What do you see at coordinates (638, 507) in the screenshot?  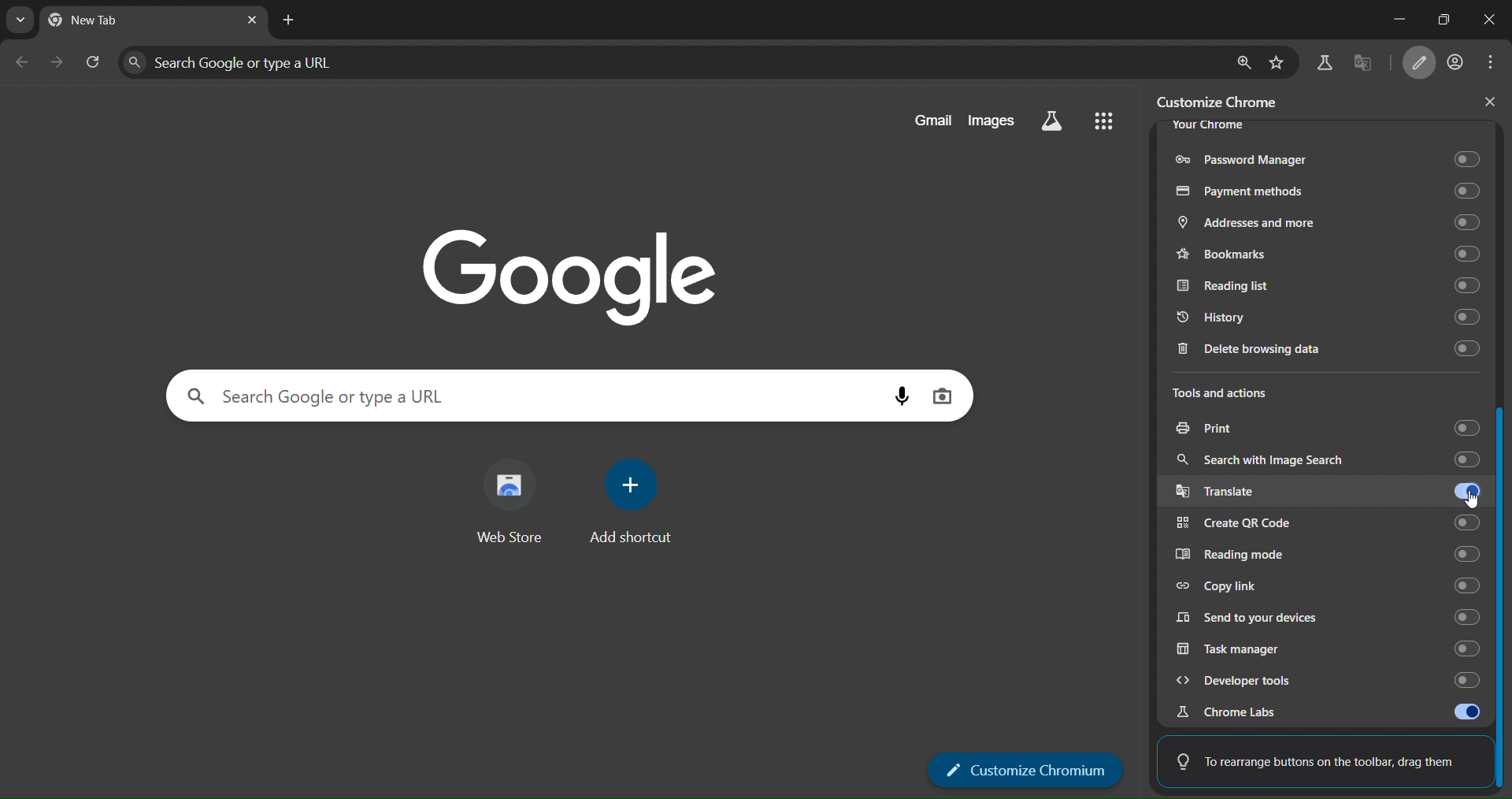 I see `add shortcut` at bounding box center [638, 507].